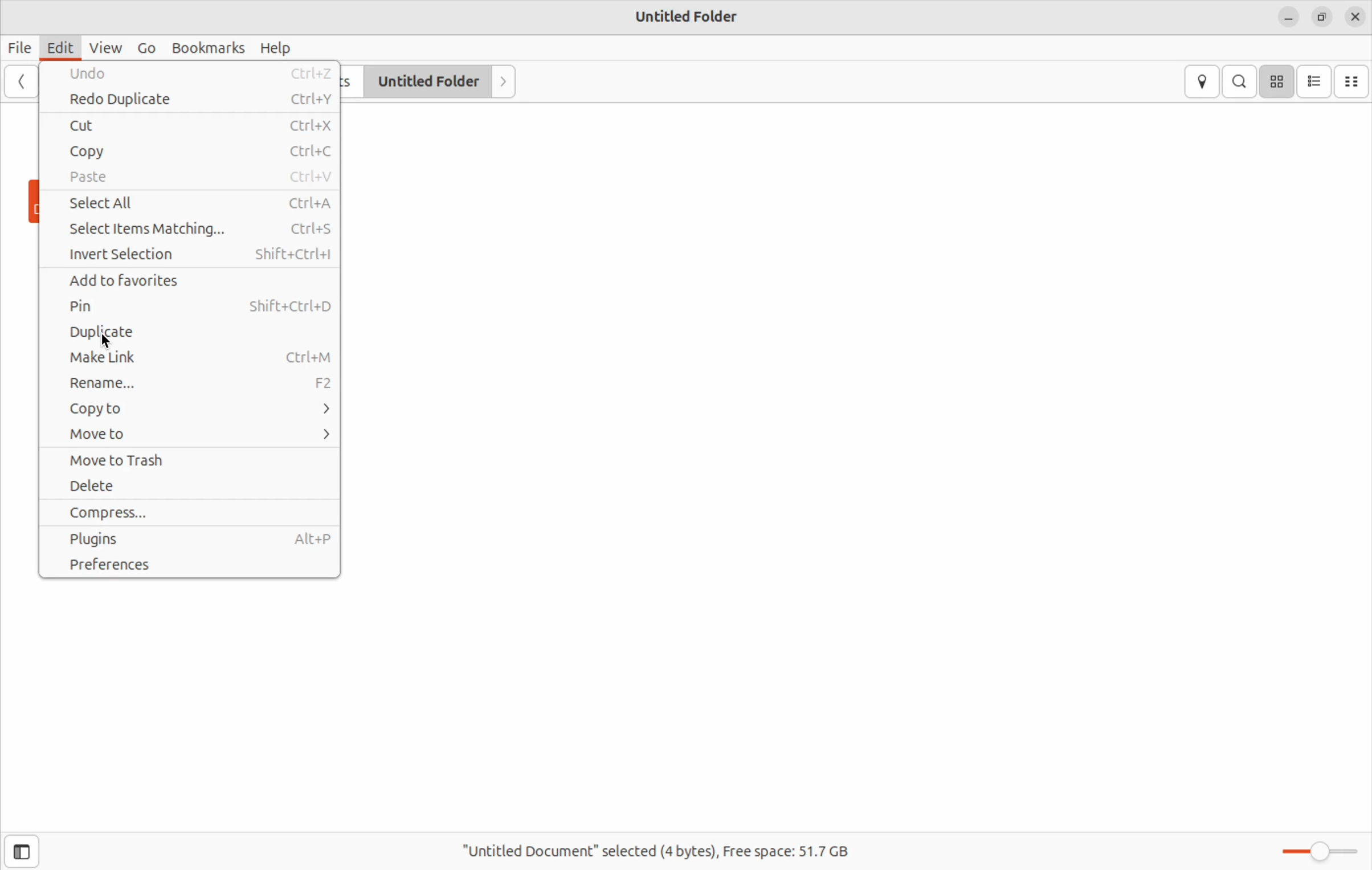 This screenshot has width=1372, height=870. What do you see at coordinates (187, 513) in the screenshot?
I see `Compress` at bounding box center [187, 513].